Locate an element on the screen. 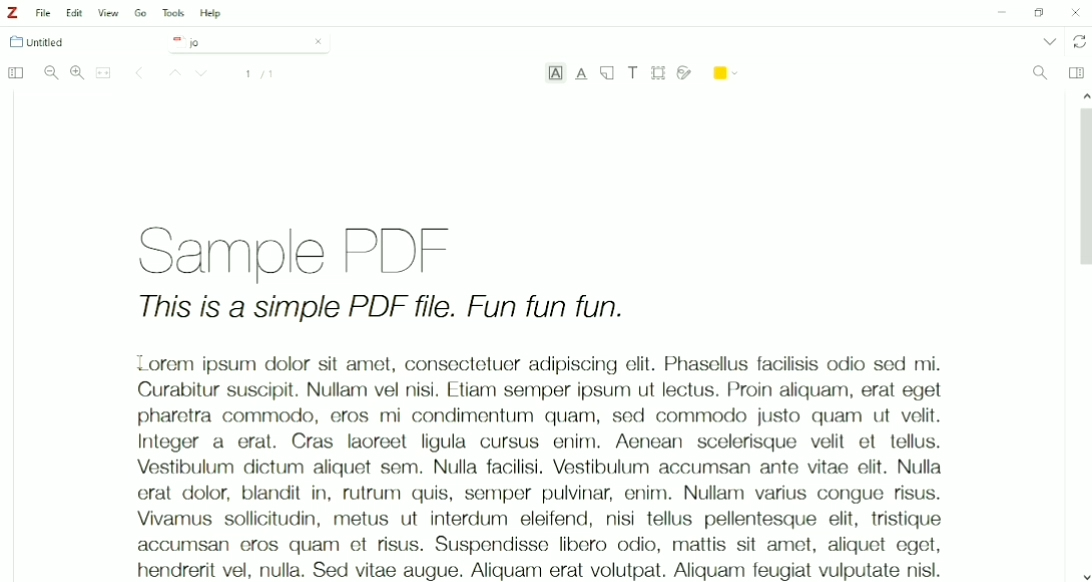 Image resolution: width=1092 pixels, height=582 pixels. Edit is located at coordinates (76, 13).